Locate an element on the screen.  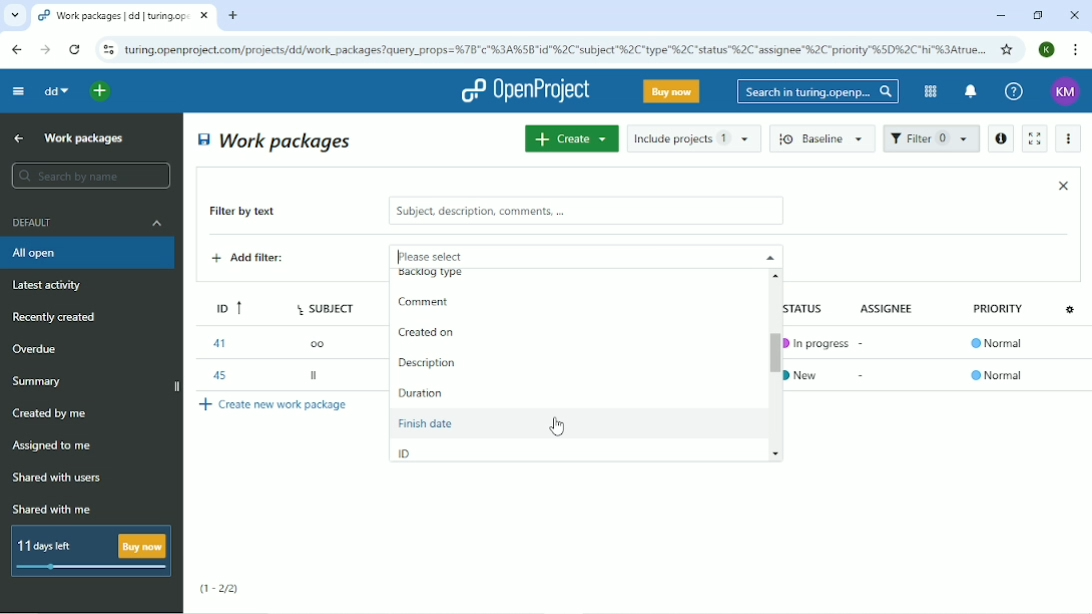
Subject is located at coordinates (328, 305).